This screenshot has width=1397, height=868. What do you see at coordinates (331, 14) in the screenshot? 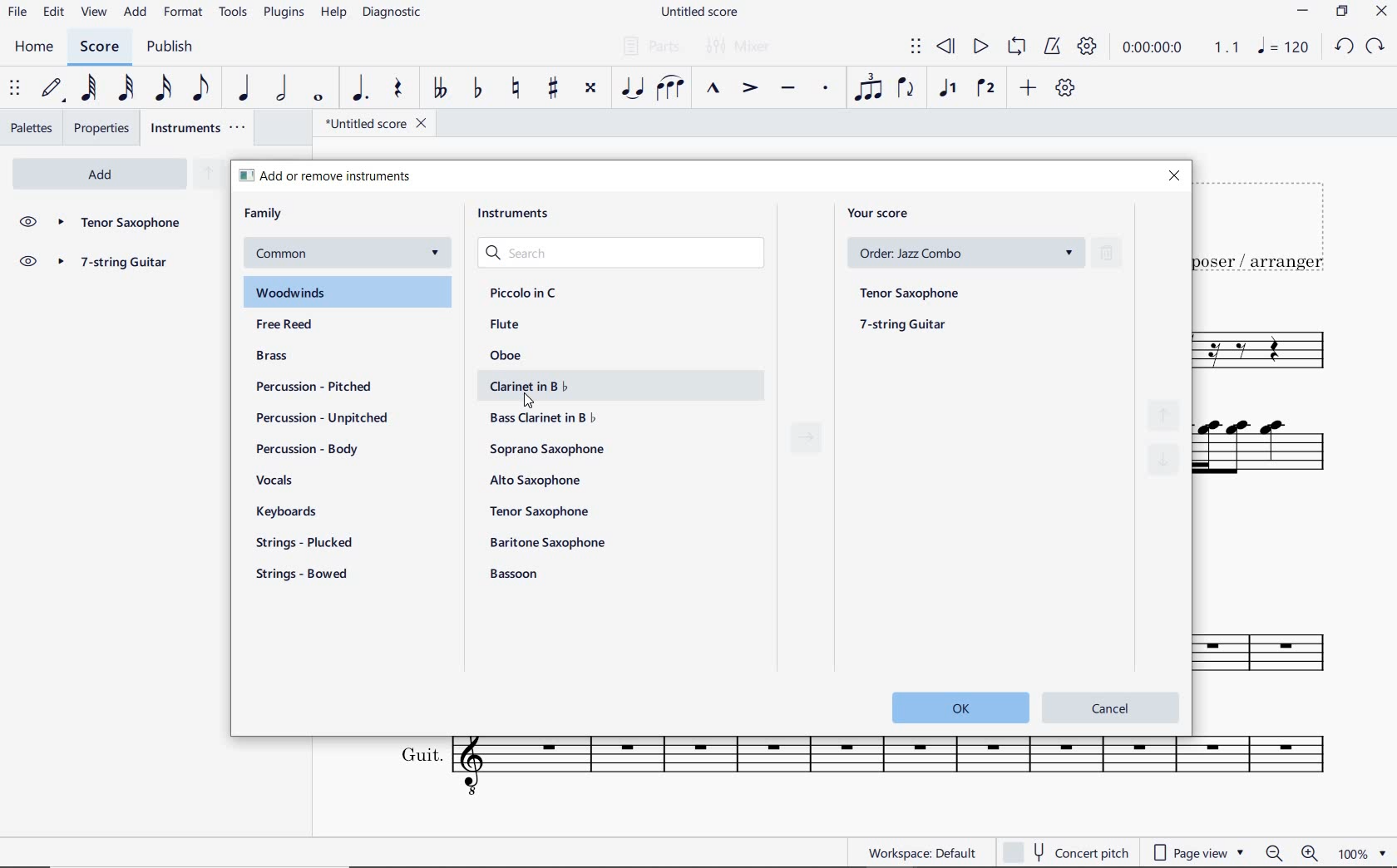
I see `HELP` at bounding box center [331, 14].